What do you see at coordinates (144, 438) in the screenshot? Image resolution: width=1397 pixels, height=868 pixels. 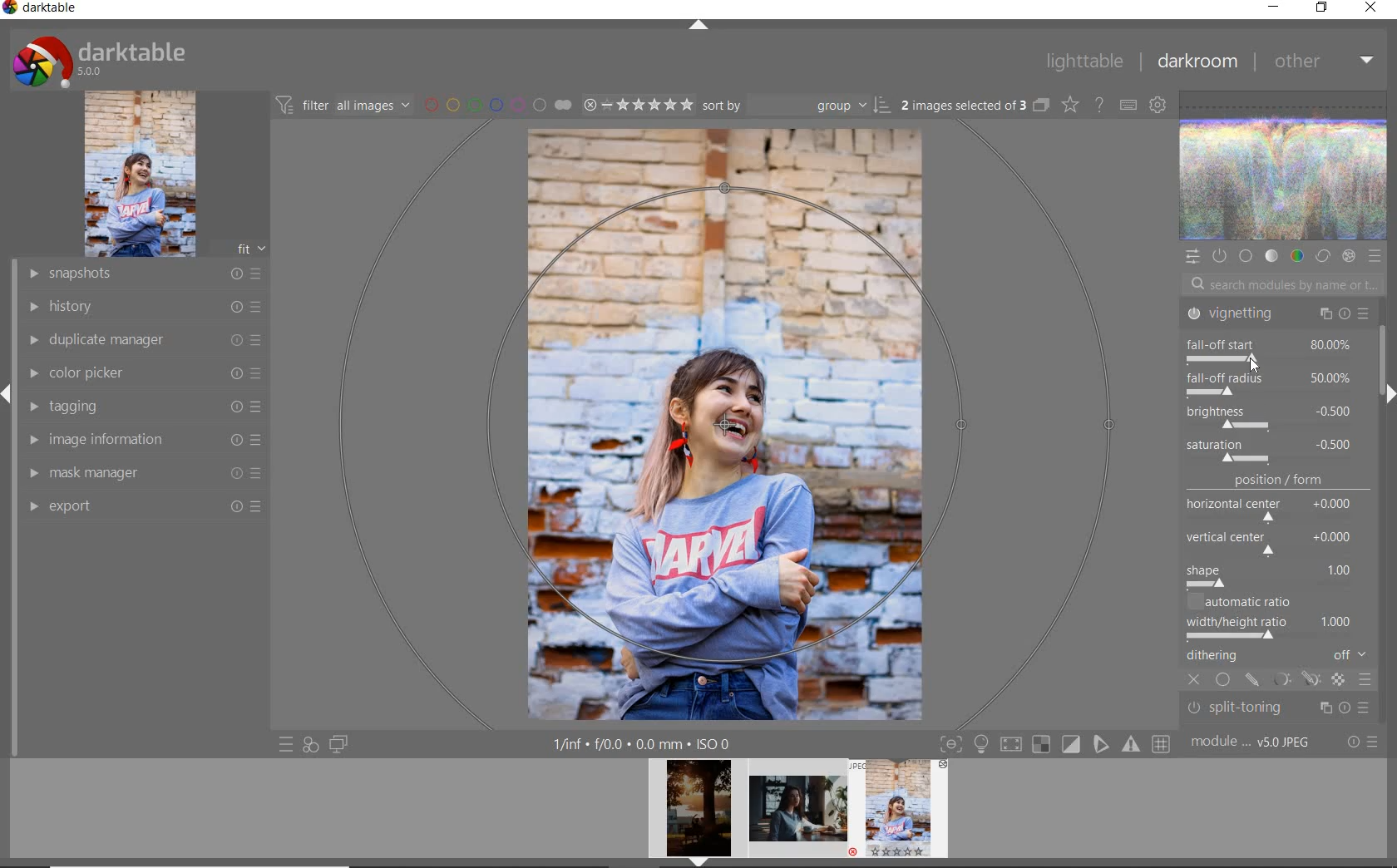 I see `image information` at bounding box center [144, 438].